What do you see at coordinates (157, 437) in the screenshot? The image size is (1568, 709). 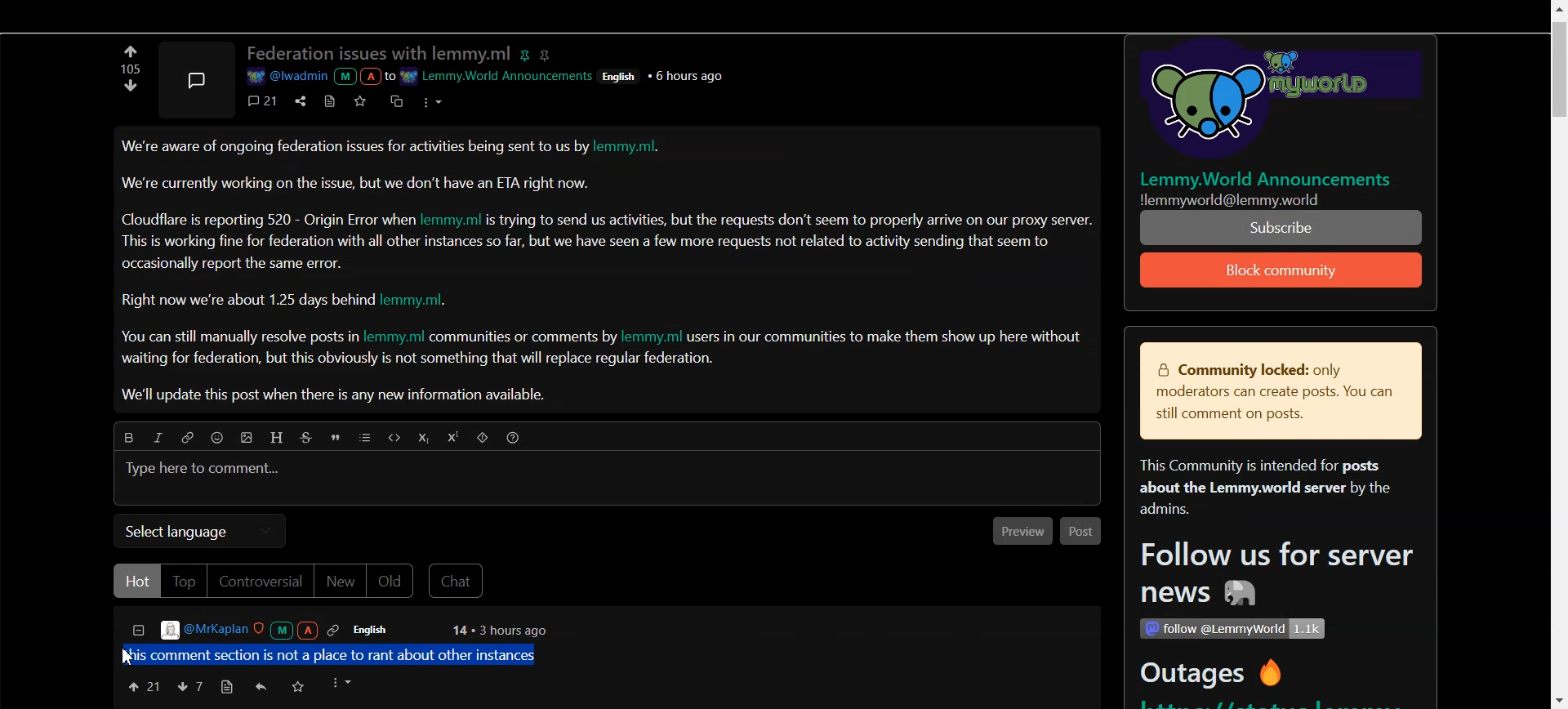 I see `Italic` at bounding box center [157, 437].